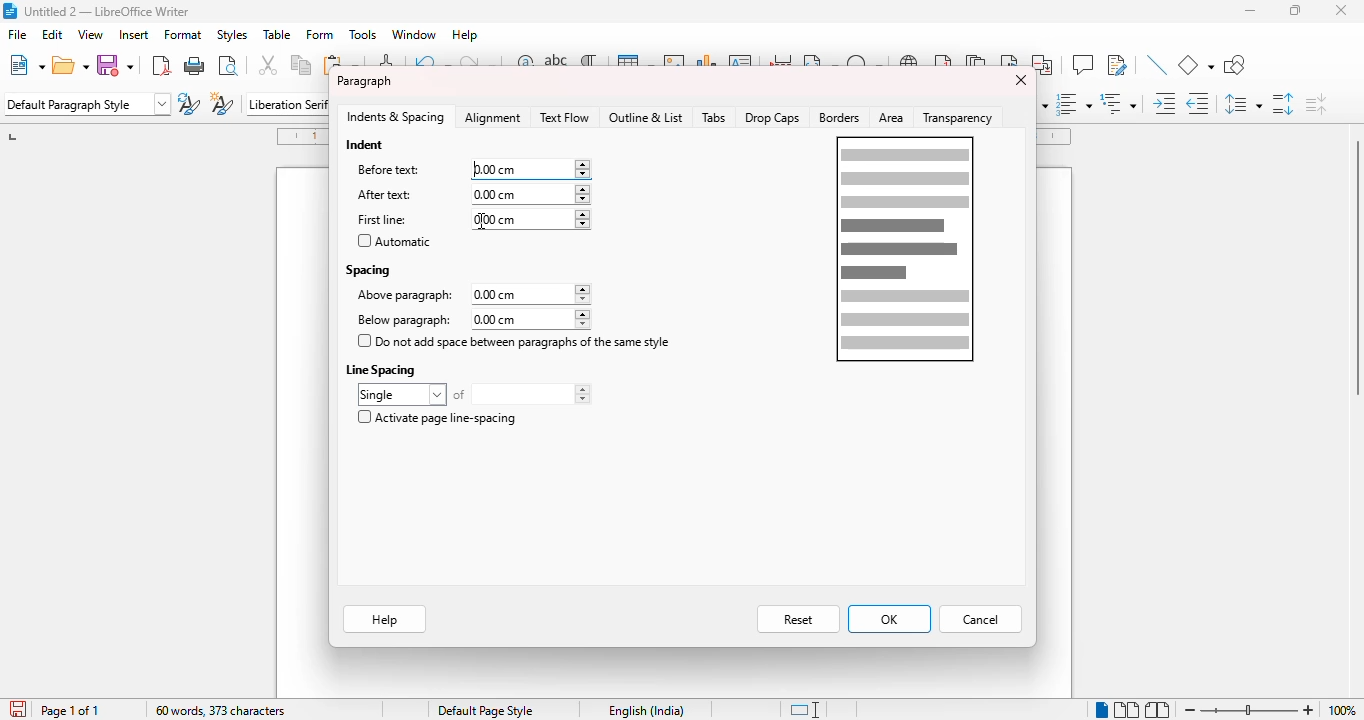 The width and height of the screenshot is (1364, 720). I want to click on insert comment, so click(1082, 64).